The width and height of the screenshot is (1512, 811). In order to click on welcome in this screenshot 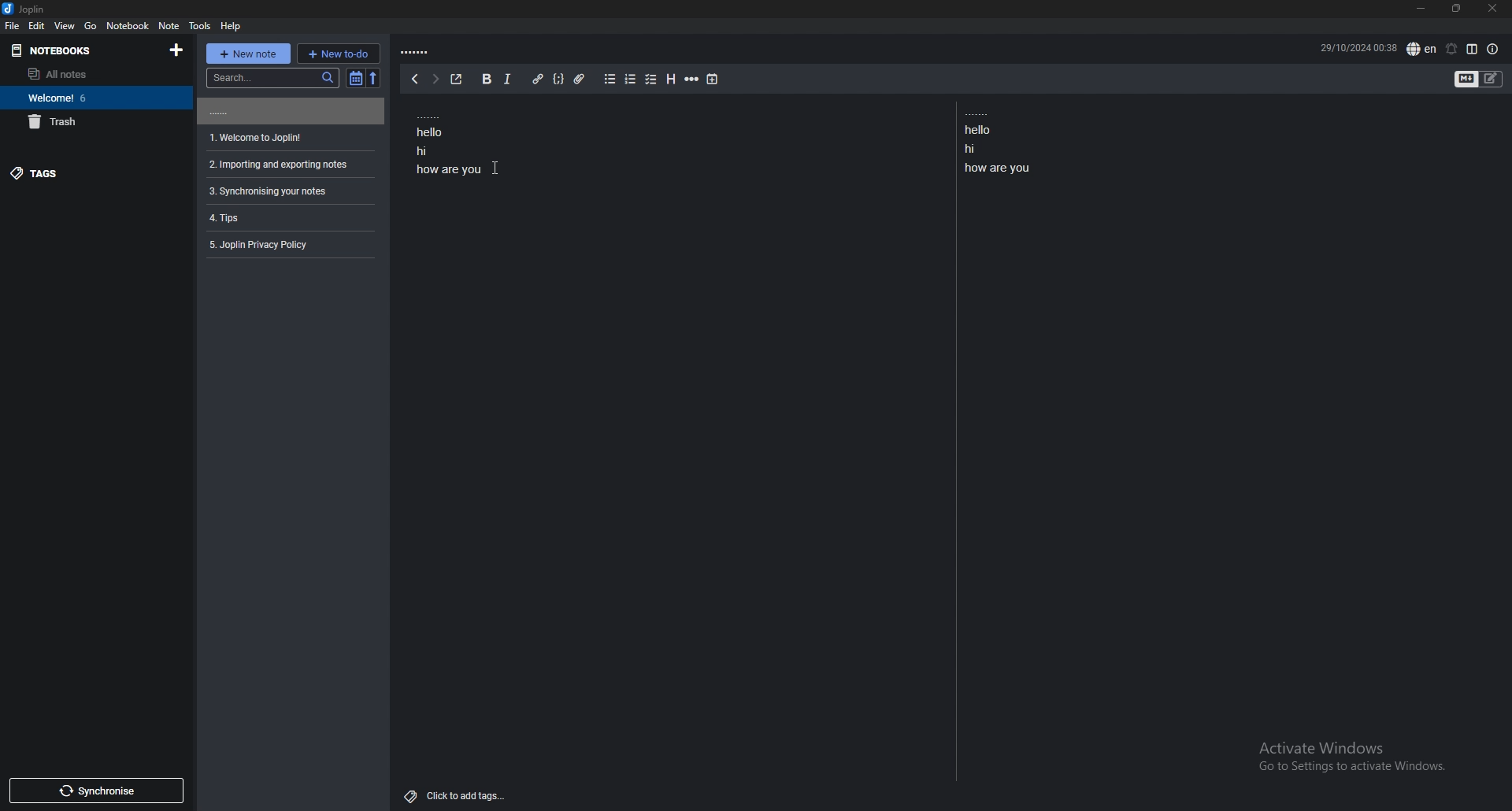, I will do `click(94, 98)`.